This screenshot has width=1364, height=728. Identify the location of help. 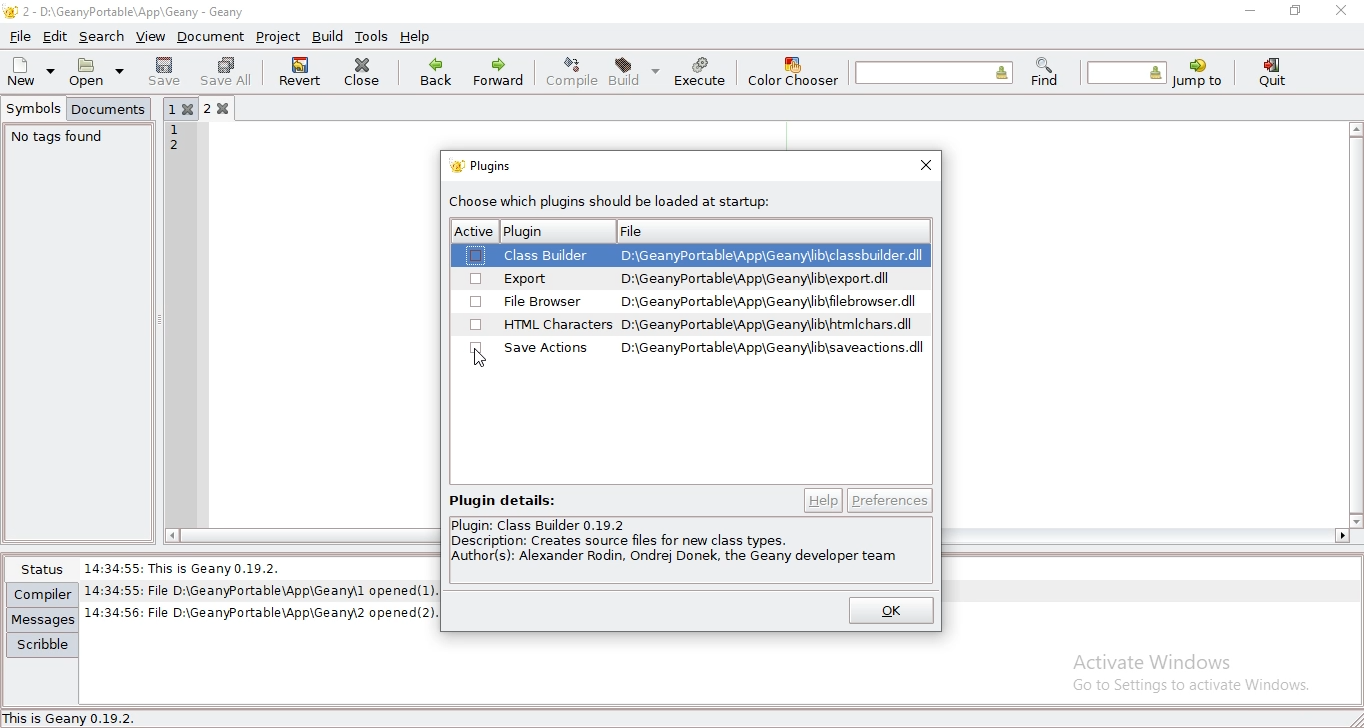
(415, 36).